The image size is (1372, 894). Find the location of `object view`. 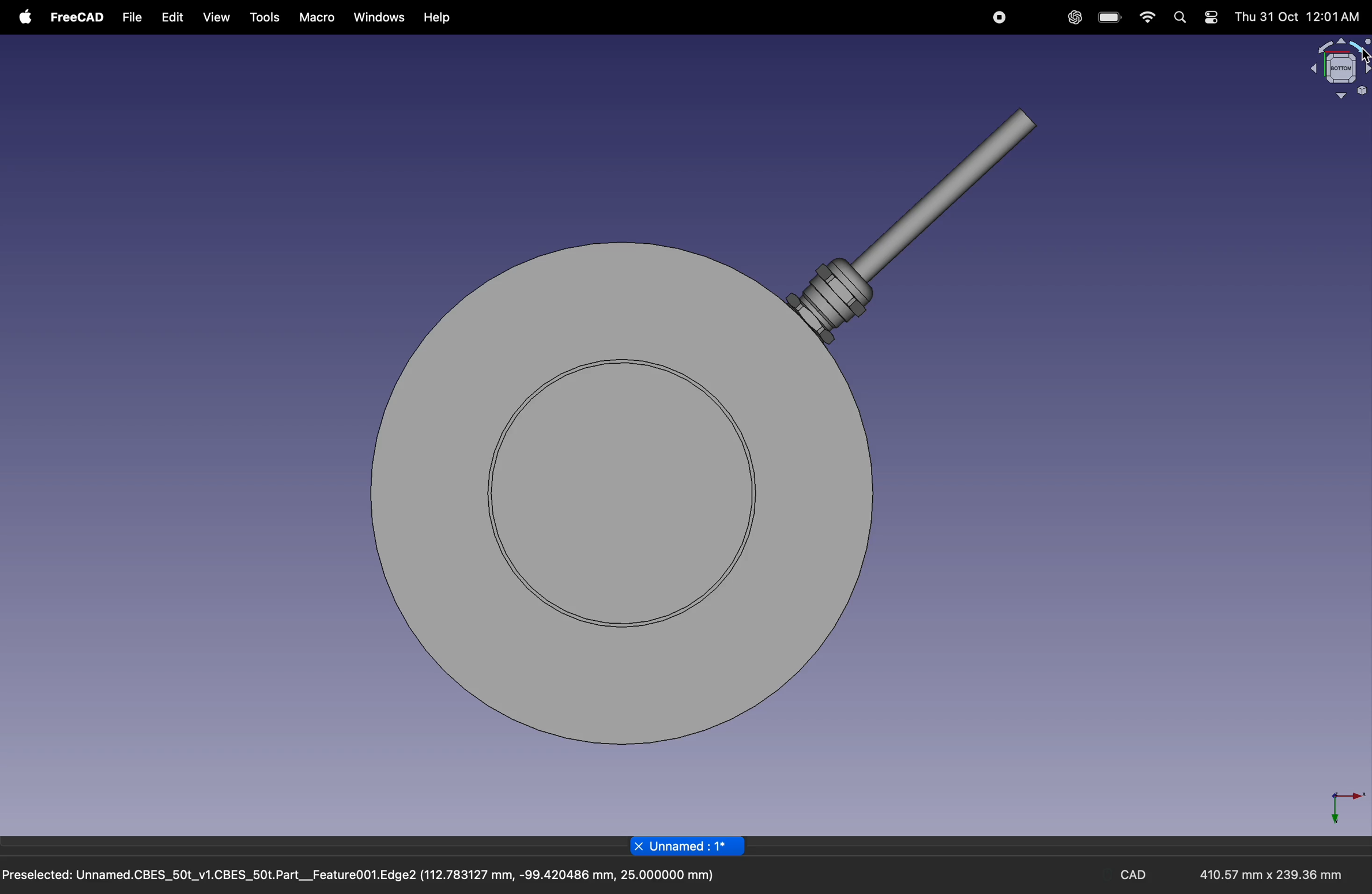

object view is located at coordinates (1338, 67).